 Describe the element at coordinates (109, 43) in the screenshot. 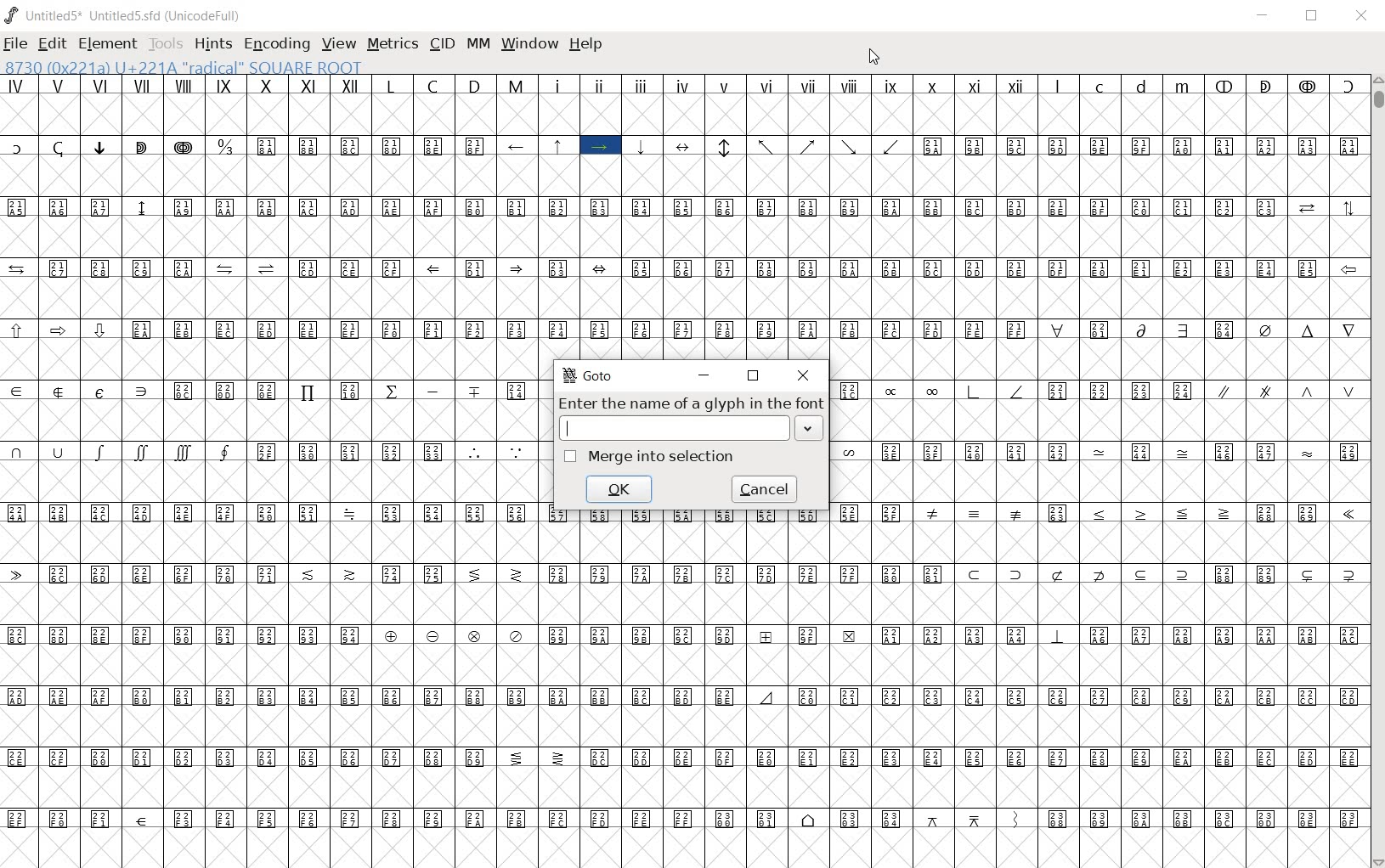

I see `ELEMENT` at that location.